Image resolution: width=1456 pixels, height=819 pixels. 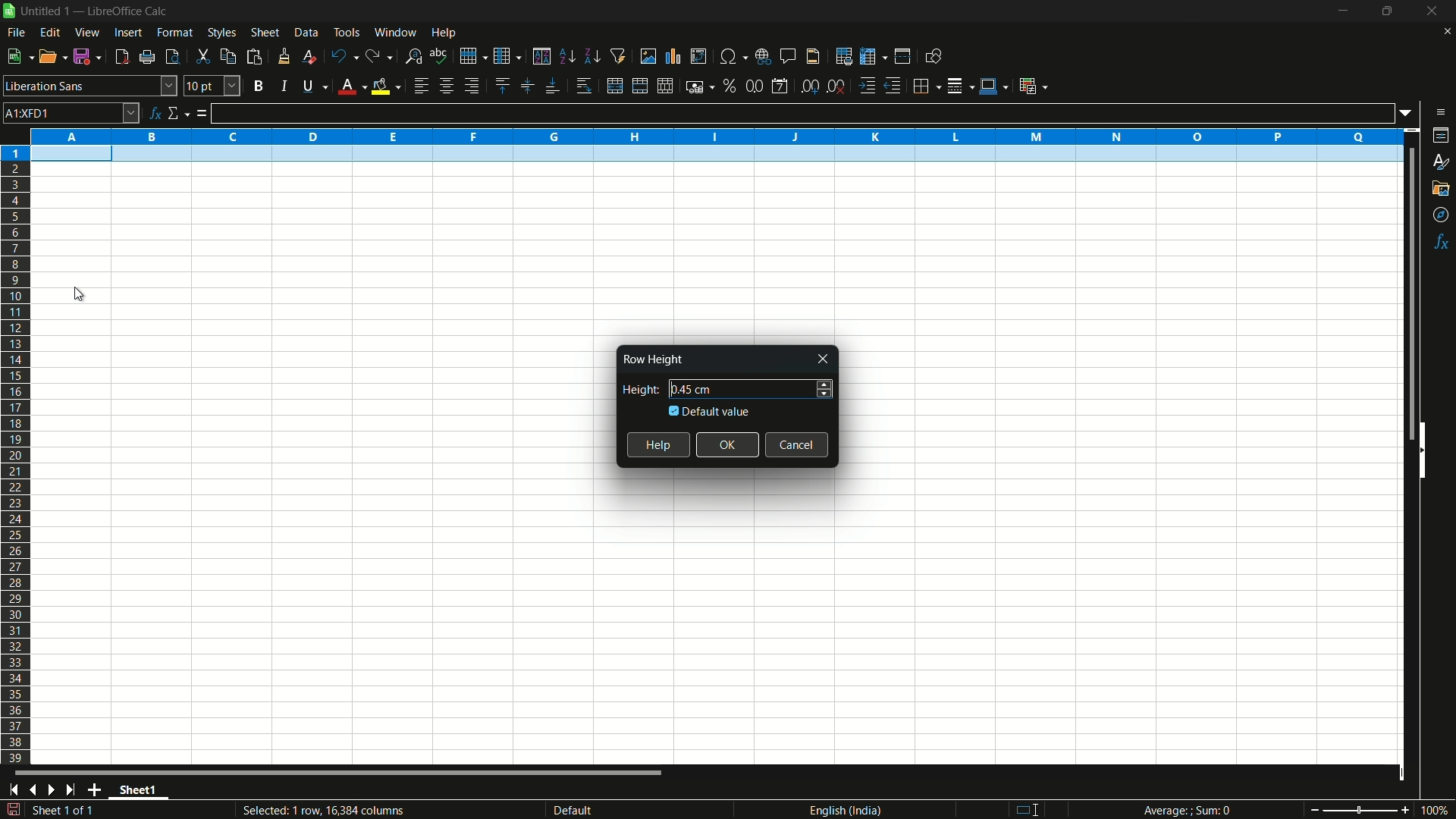 What do you see at coordinates (283, 86) in the screenshot?
I see `italic` at bounding box center [283, 86].